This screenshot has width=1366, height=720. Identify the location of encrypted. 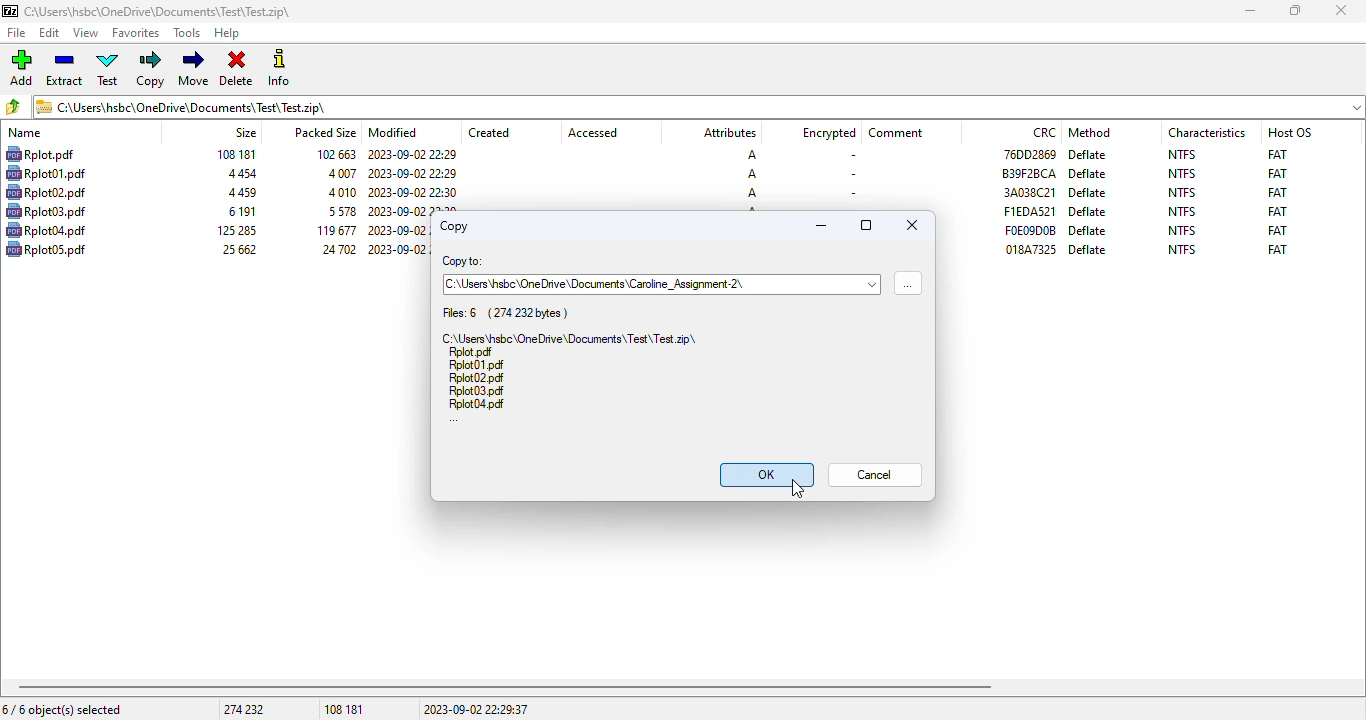
(829, 133).